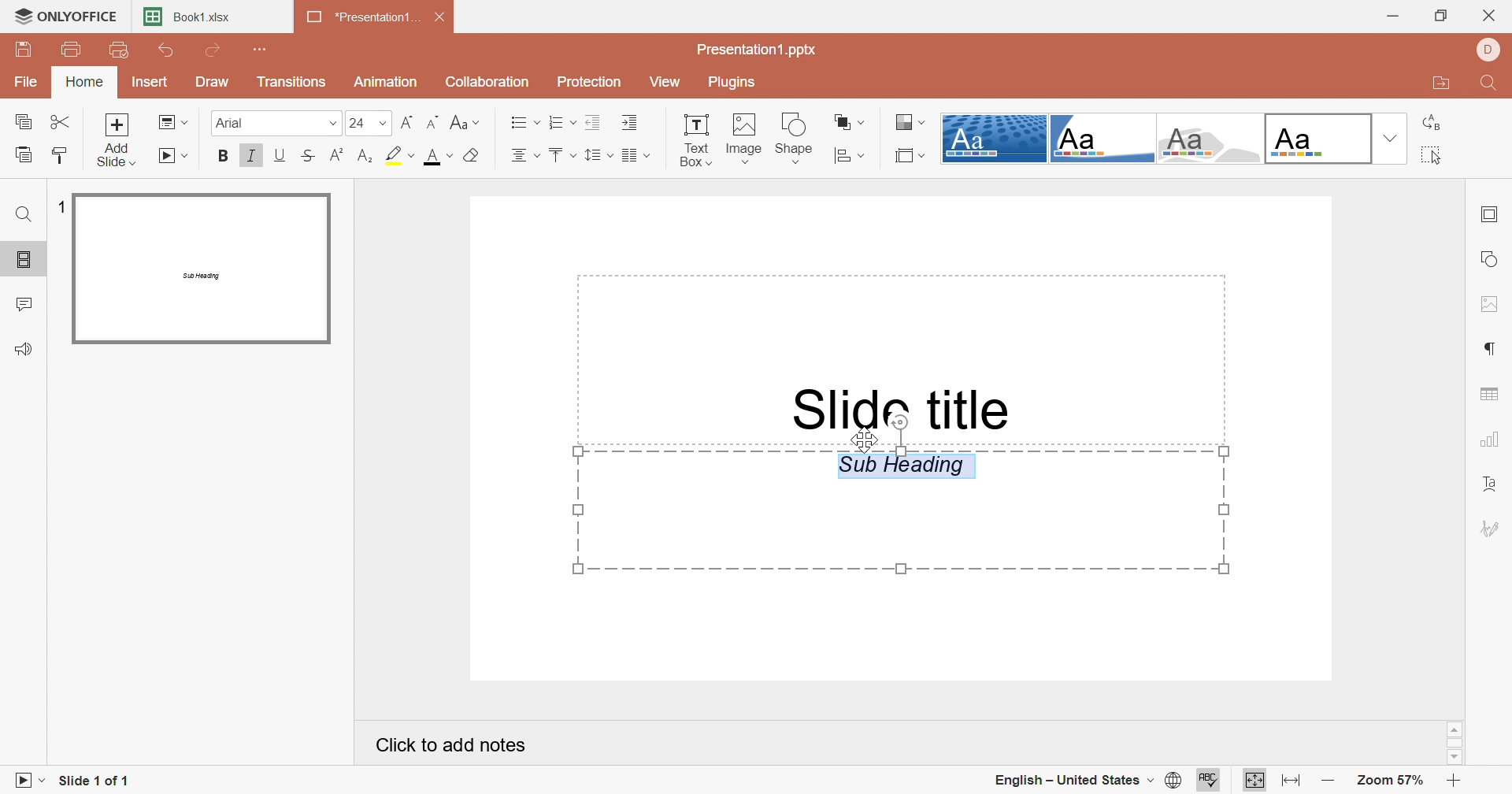 This screenshot has height=794, width=1512. I want to click on Minimize, so click(1390, 16).